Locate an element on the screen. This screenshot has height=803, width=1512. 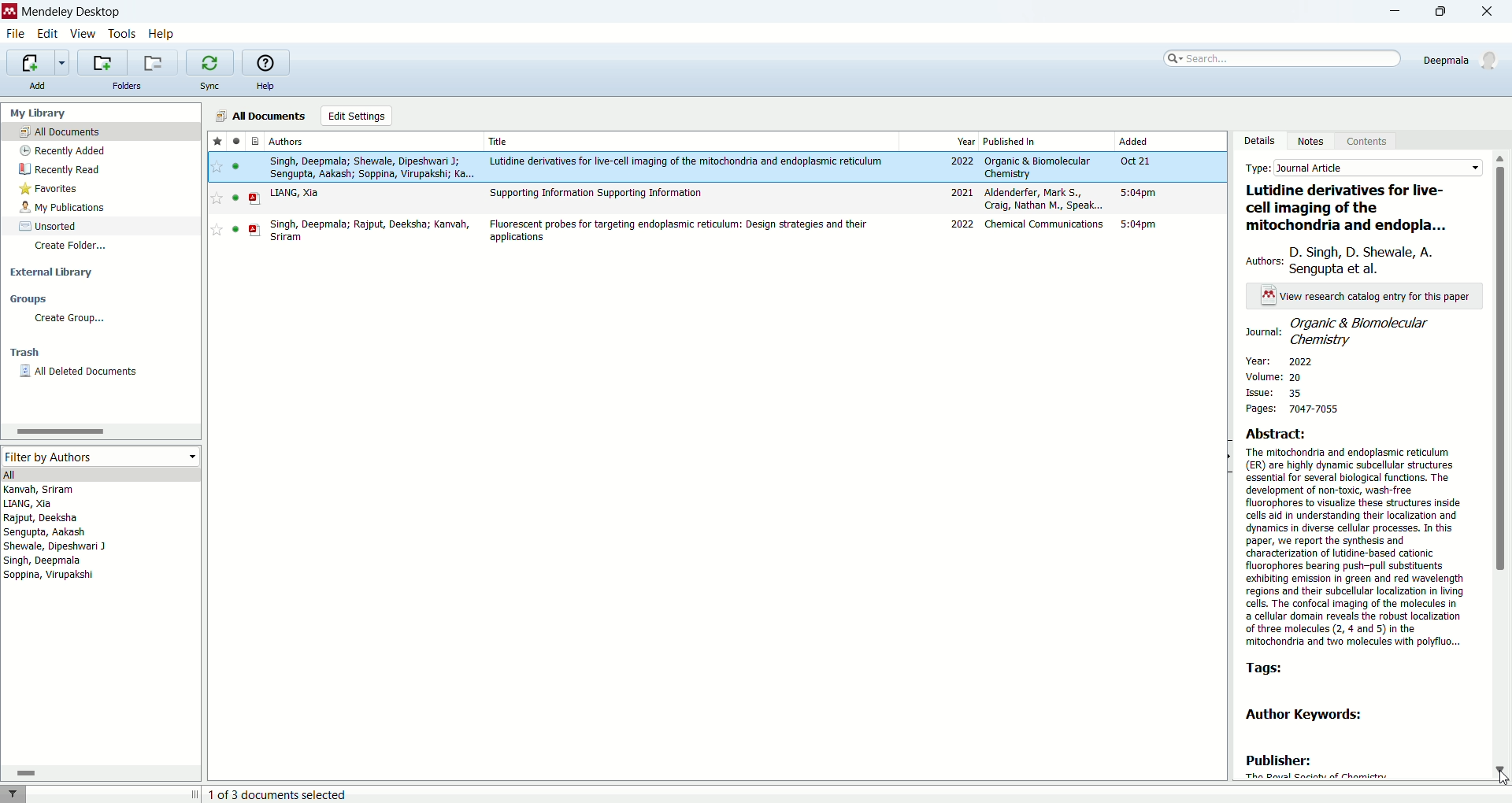
minimize is located at coordinates (1388, 13).